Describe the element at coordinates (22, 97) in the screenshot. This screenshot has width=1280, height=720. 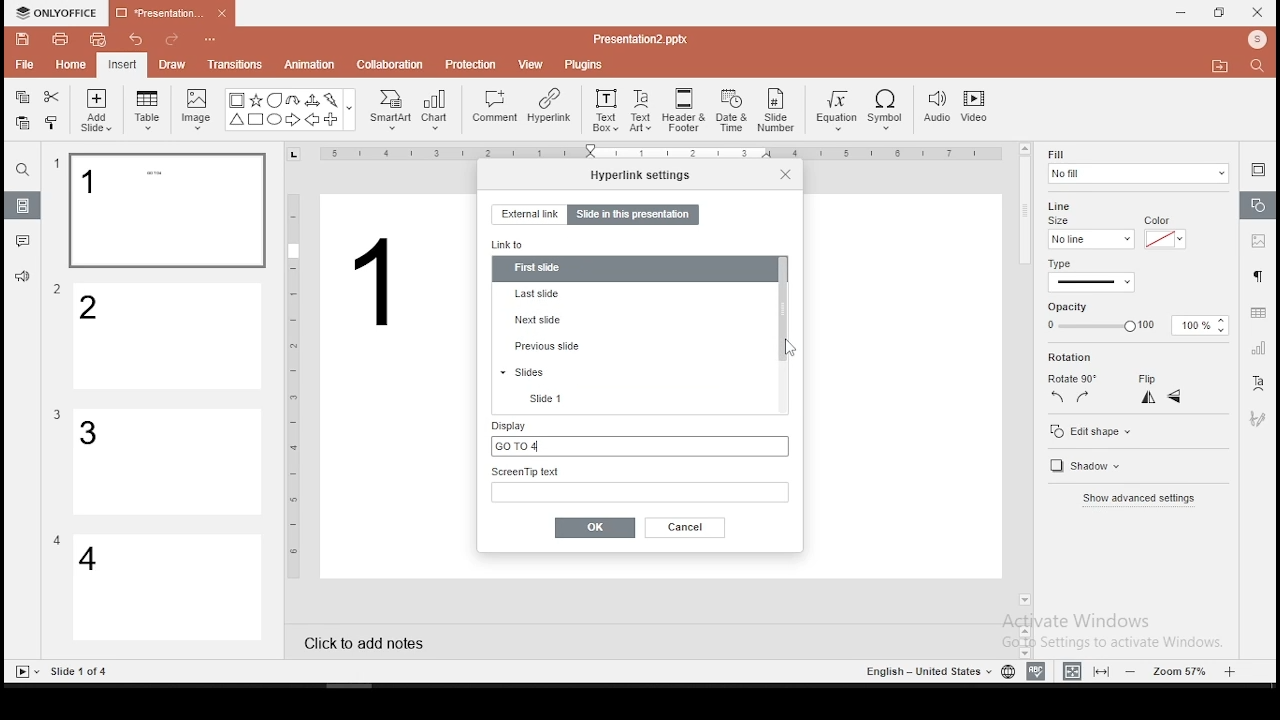
I see `copy` at that location.